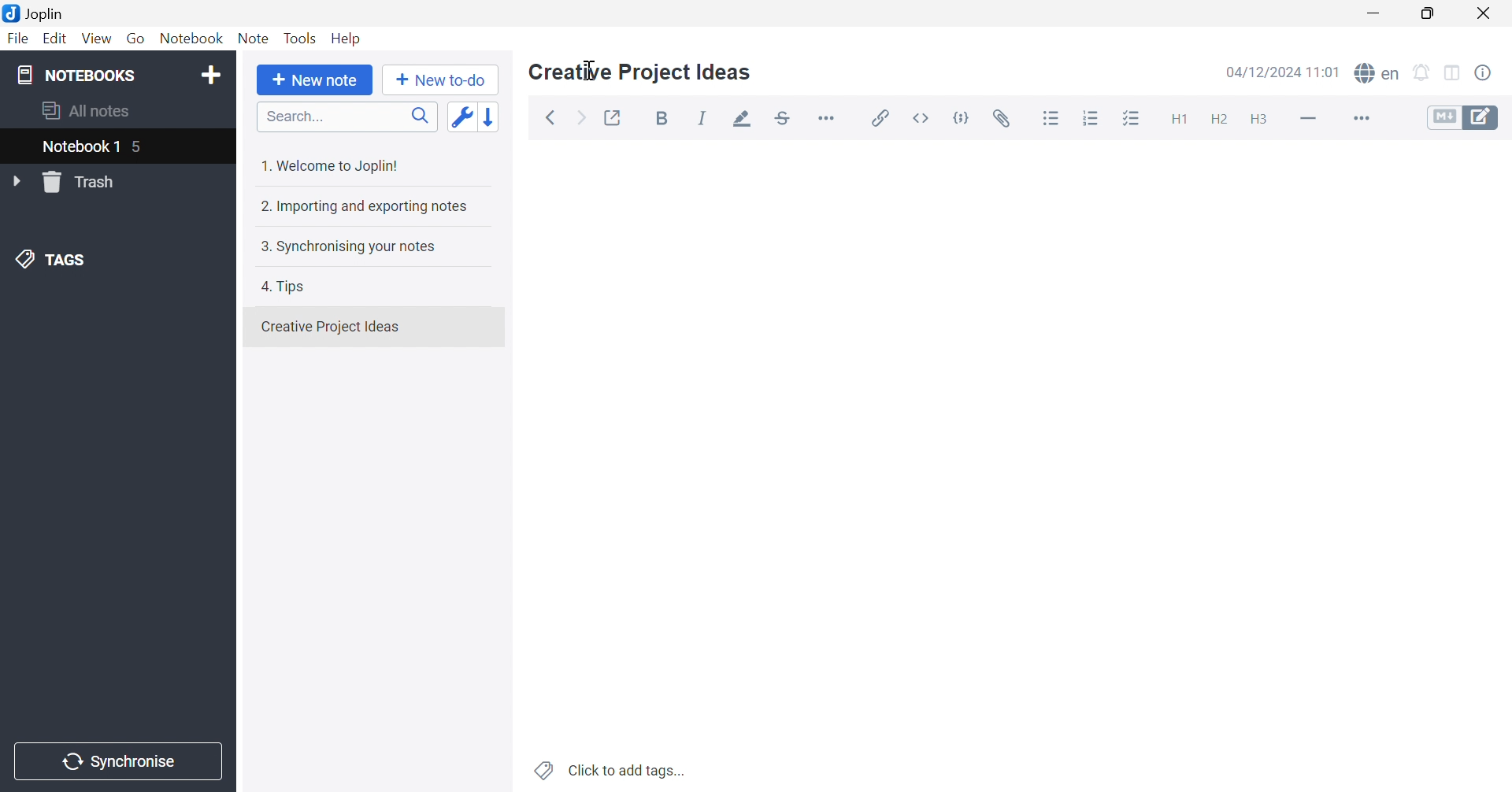 Image resolution: width=1512 pixels, height=792 pixels. What do you see at coordinates (138, 38) in the screenshot?
I see `Go` at bounding box center [138, 38].